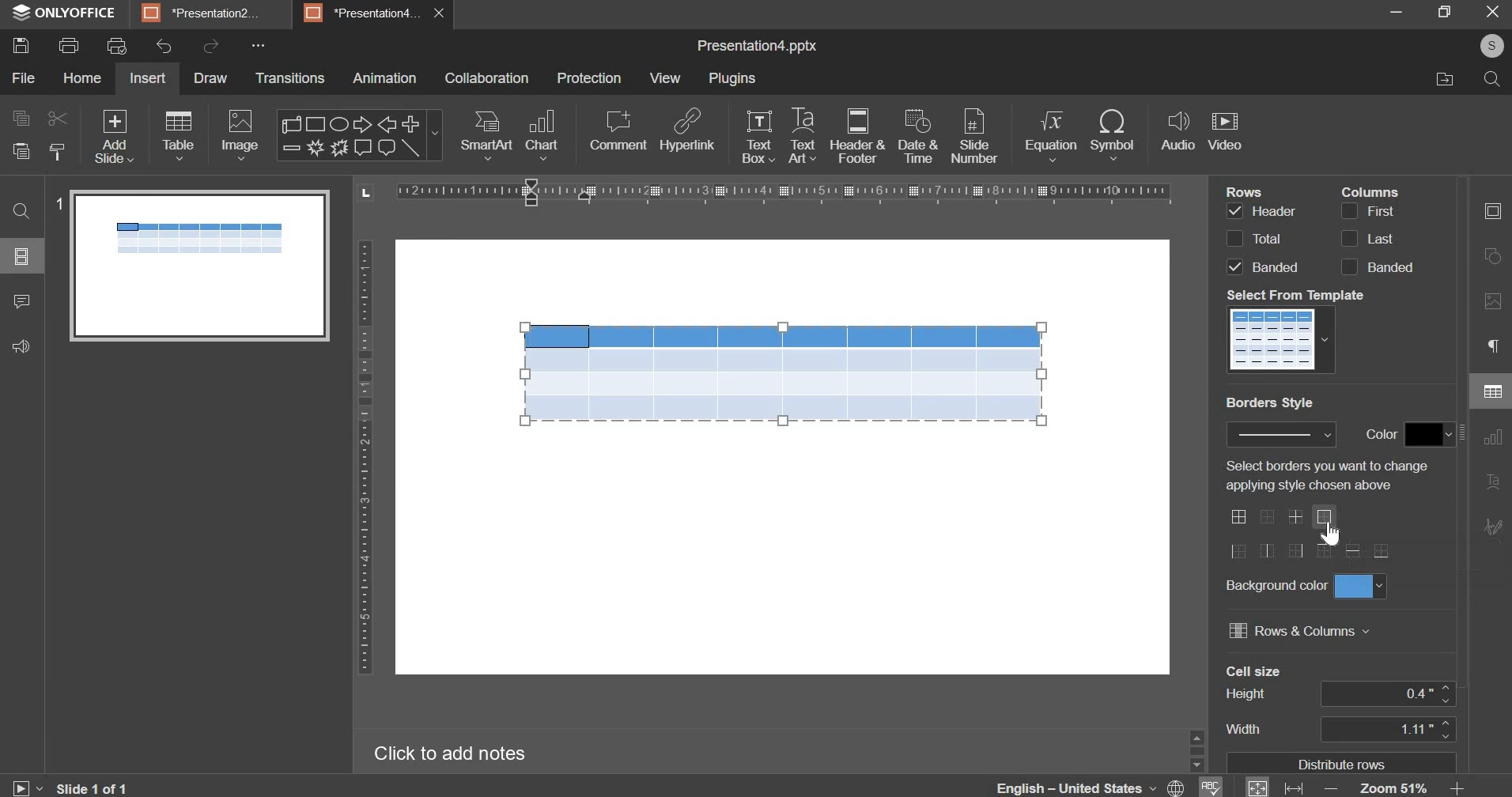  What do you see at coordinates (19, 119) in the screenshot?
I see `copy` at bounding box center [19, 119].